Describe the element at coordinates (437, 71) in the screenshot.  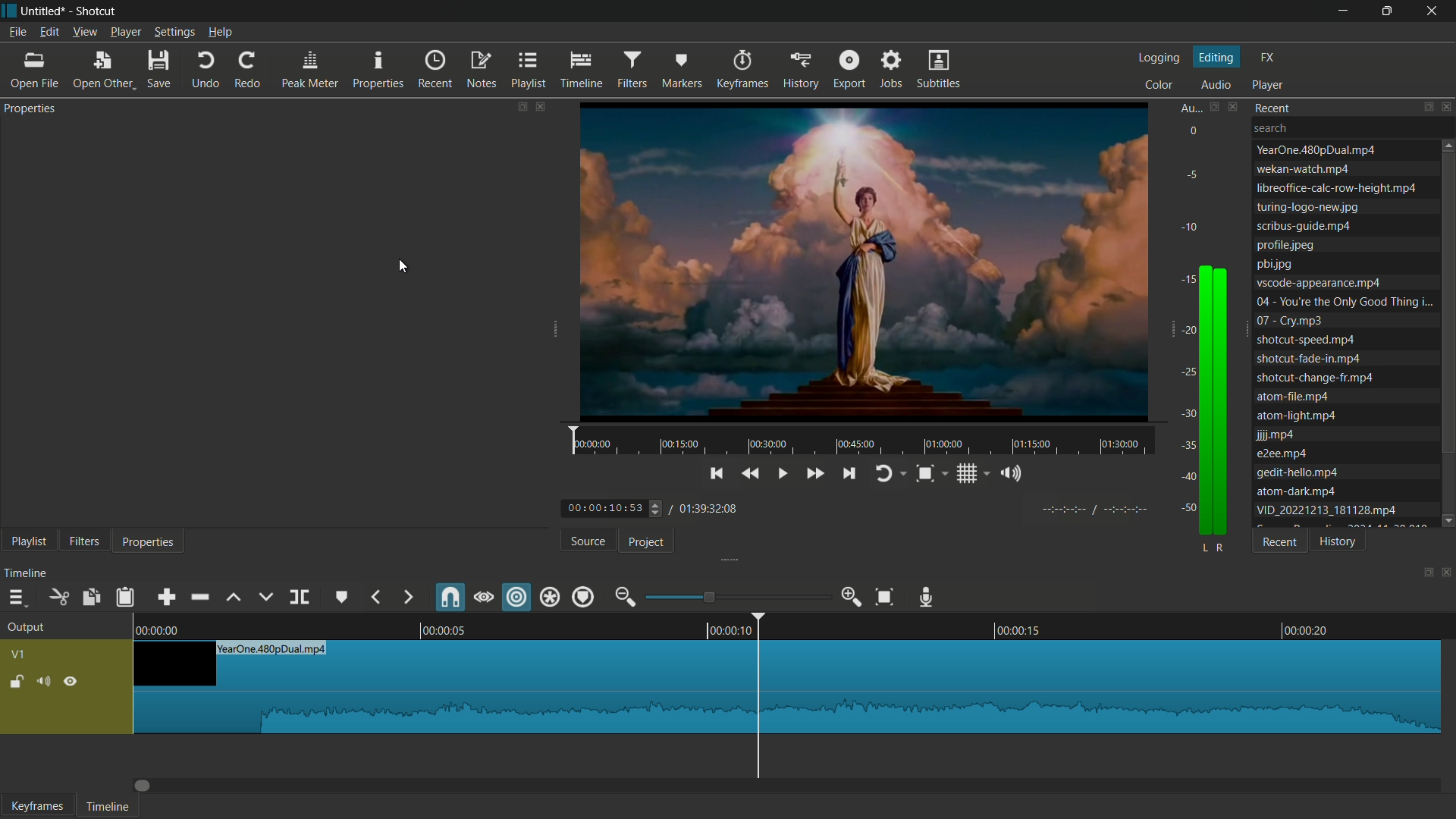
I see `recent` at that location.